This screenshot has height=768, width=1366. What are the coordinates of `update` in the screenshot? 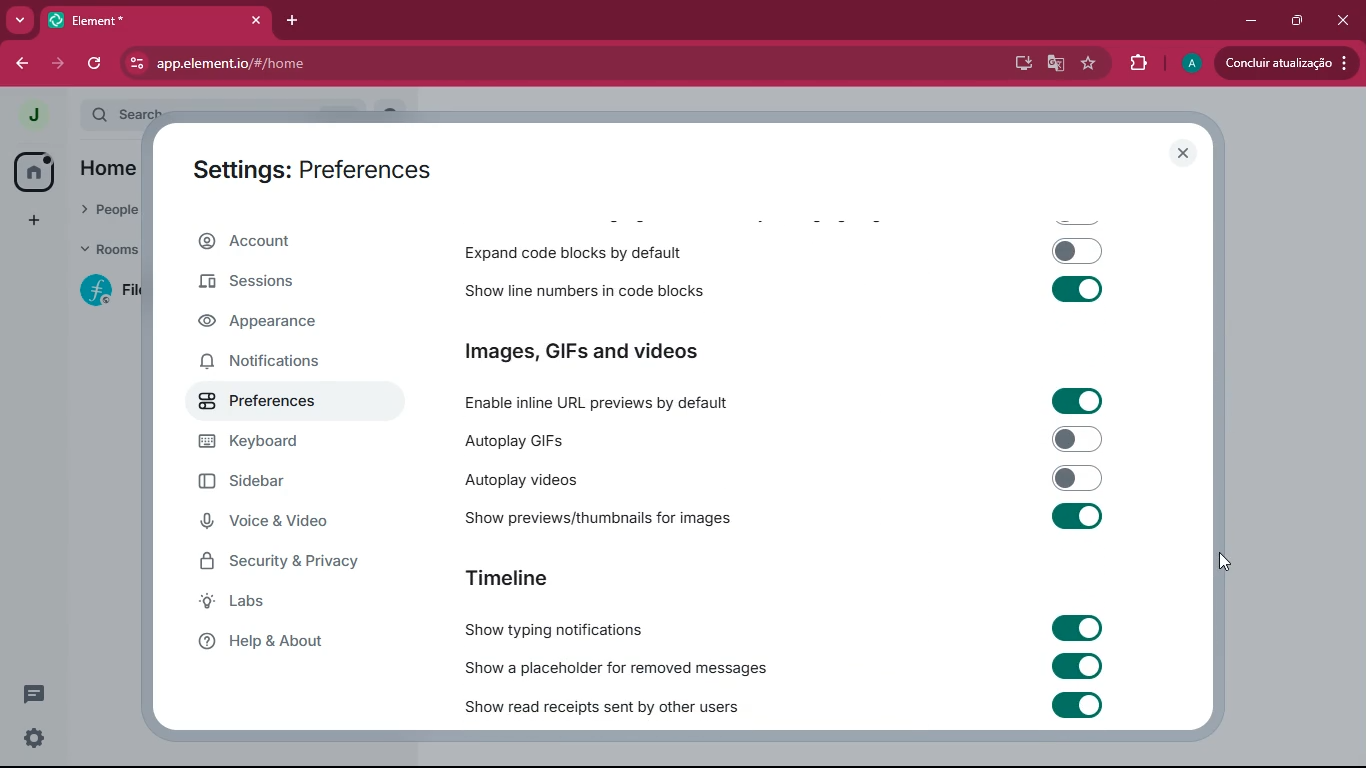 It's located at (1286, 61).